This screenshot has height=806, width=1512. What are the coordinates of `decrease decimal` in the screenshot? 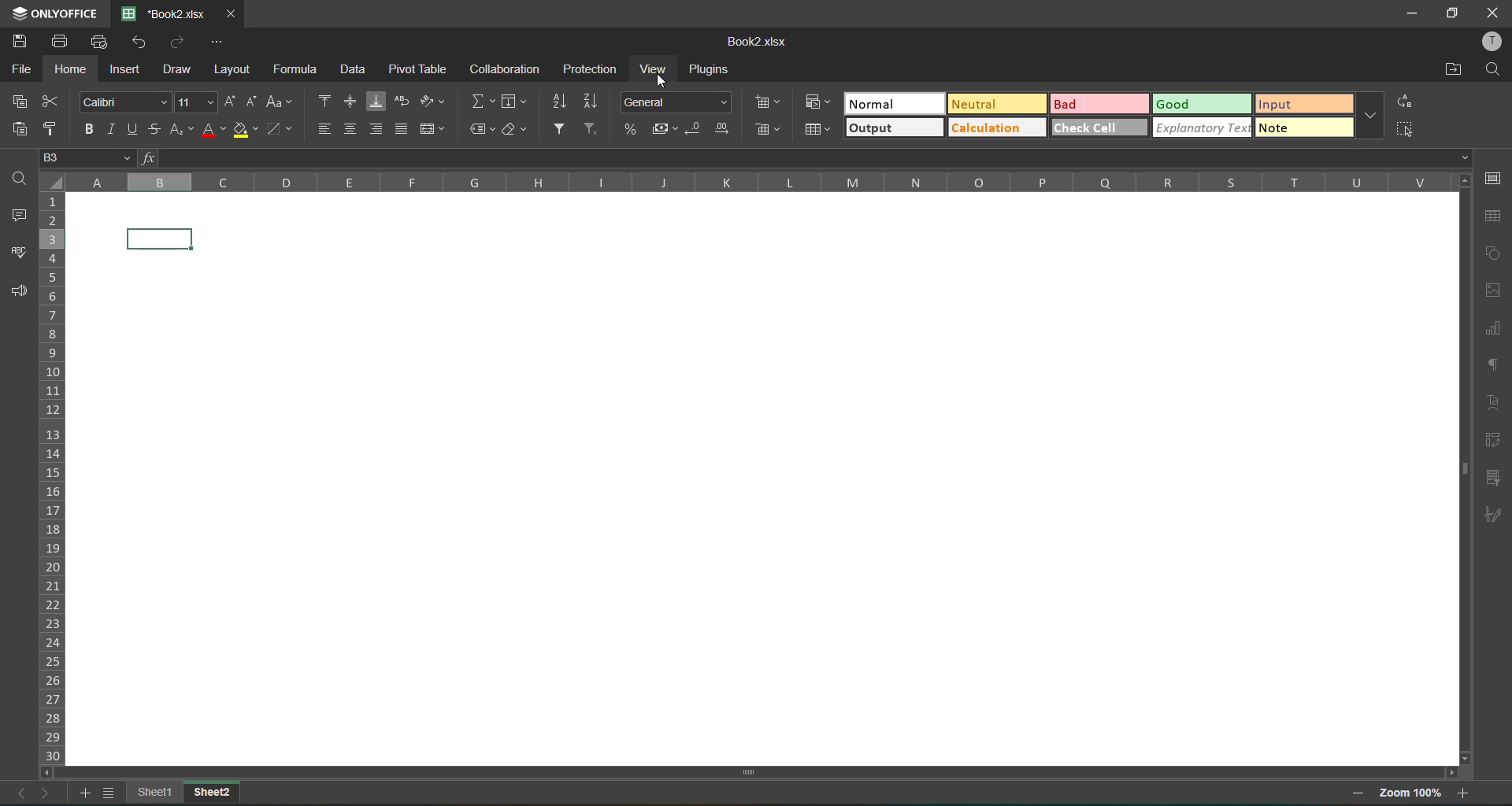 It's located at (698, 129).